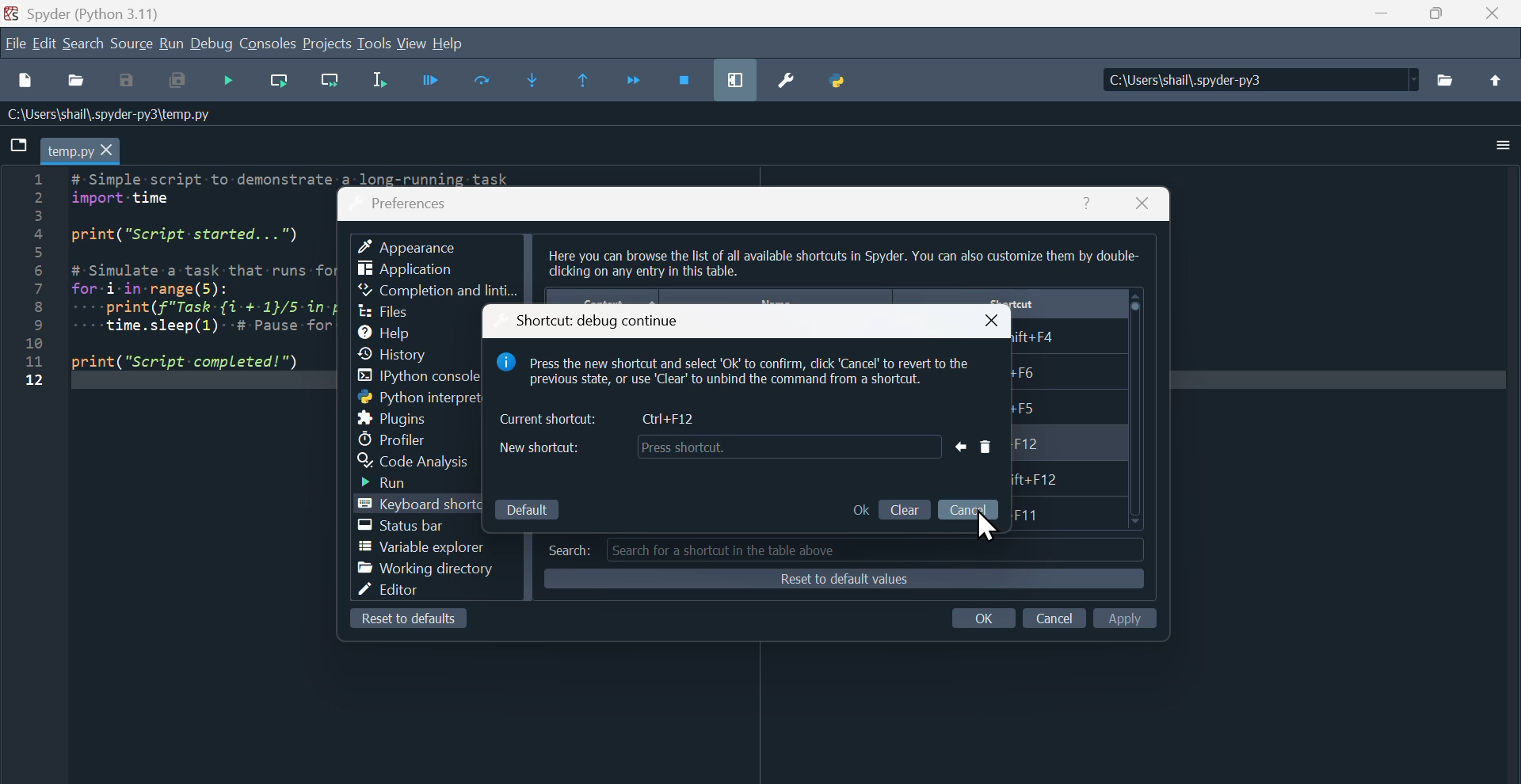  I want to click on Keyboard shortcut, so click(414, 503).